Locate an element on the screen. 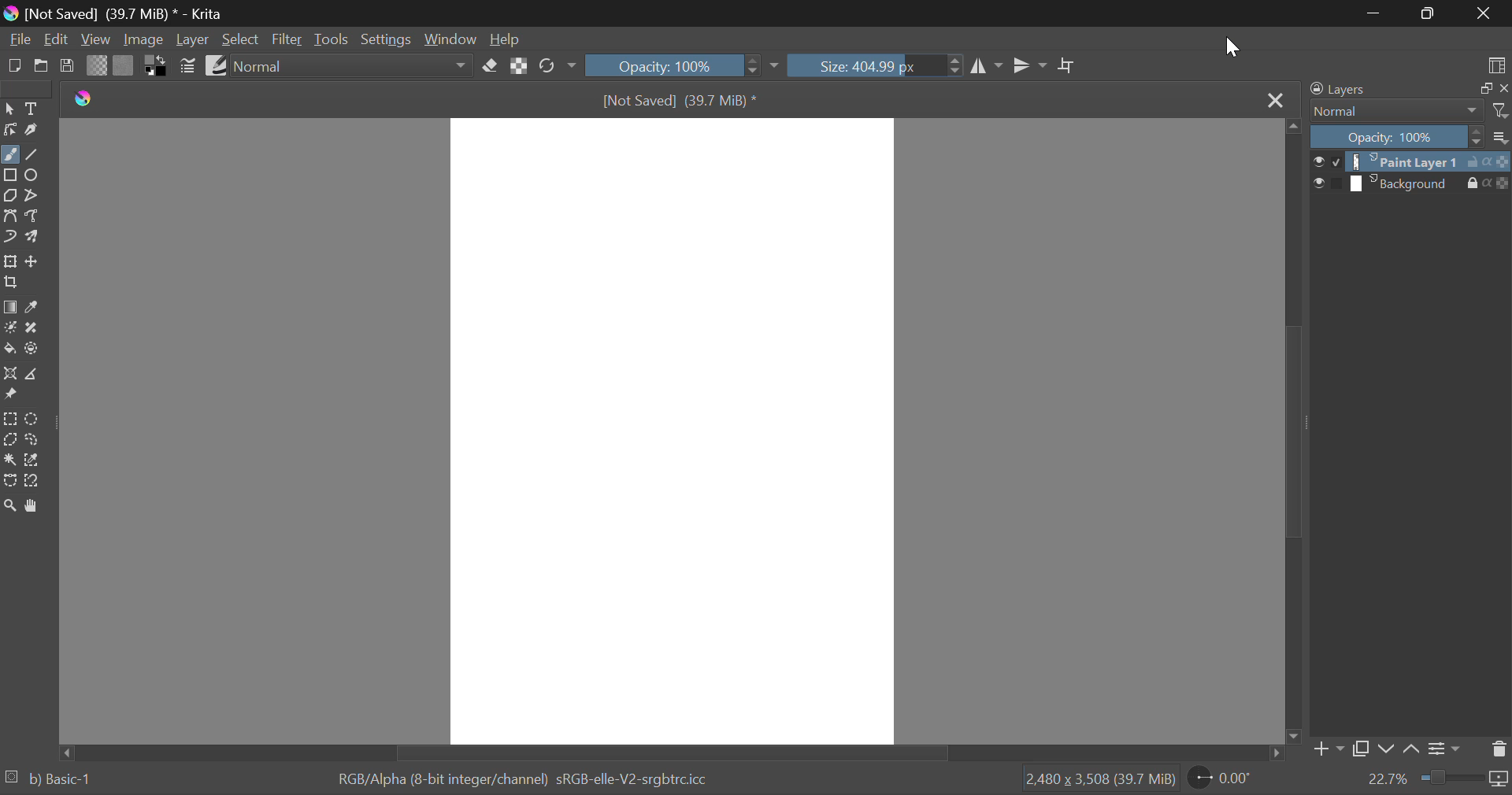 This screenshot has height=795, width=1512. Pattern is located at coordinates (124, 65).